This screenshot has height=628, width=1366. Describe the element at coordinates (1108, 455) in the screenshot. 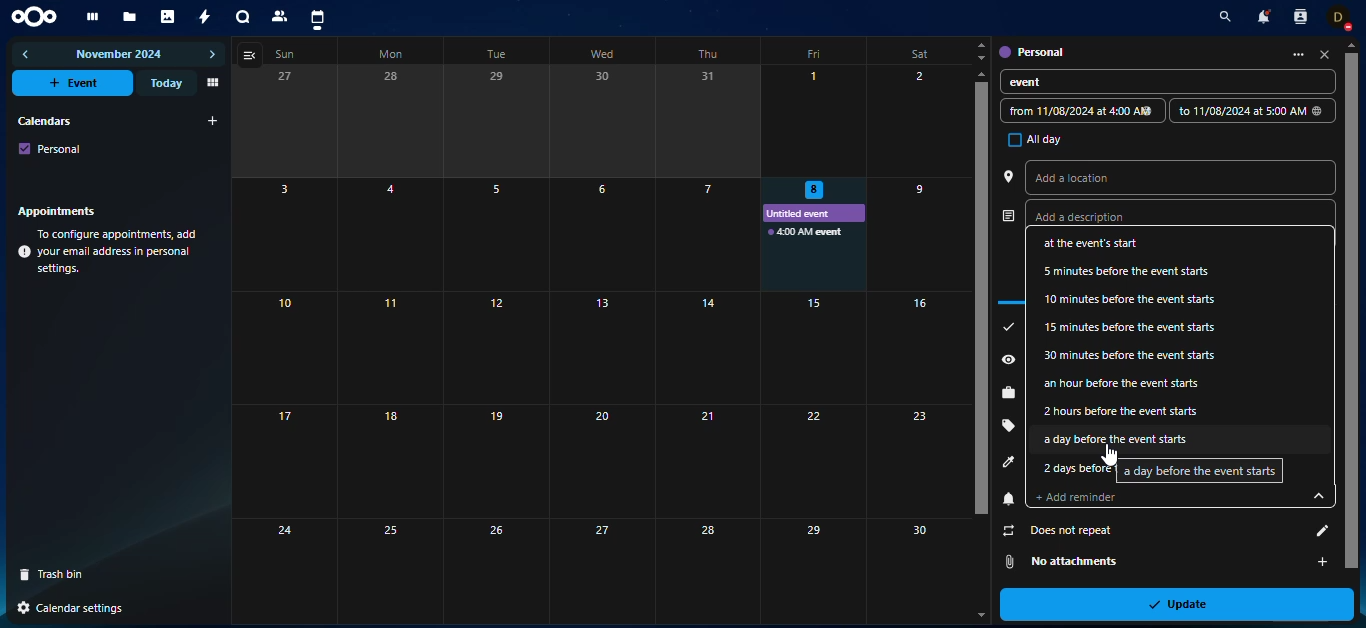

I see `Cursor` at that location.